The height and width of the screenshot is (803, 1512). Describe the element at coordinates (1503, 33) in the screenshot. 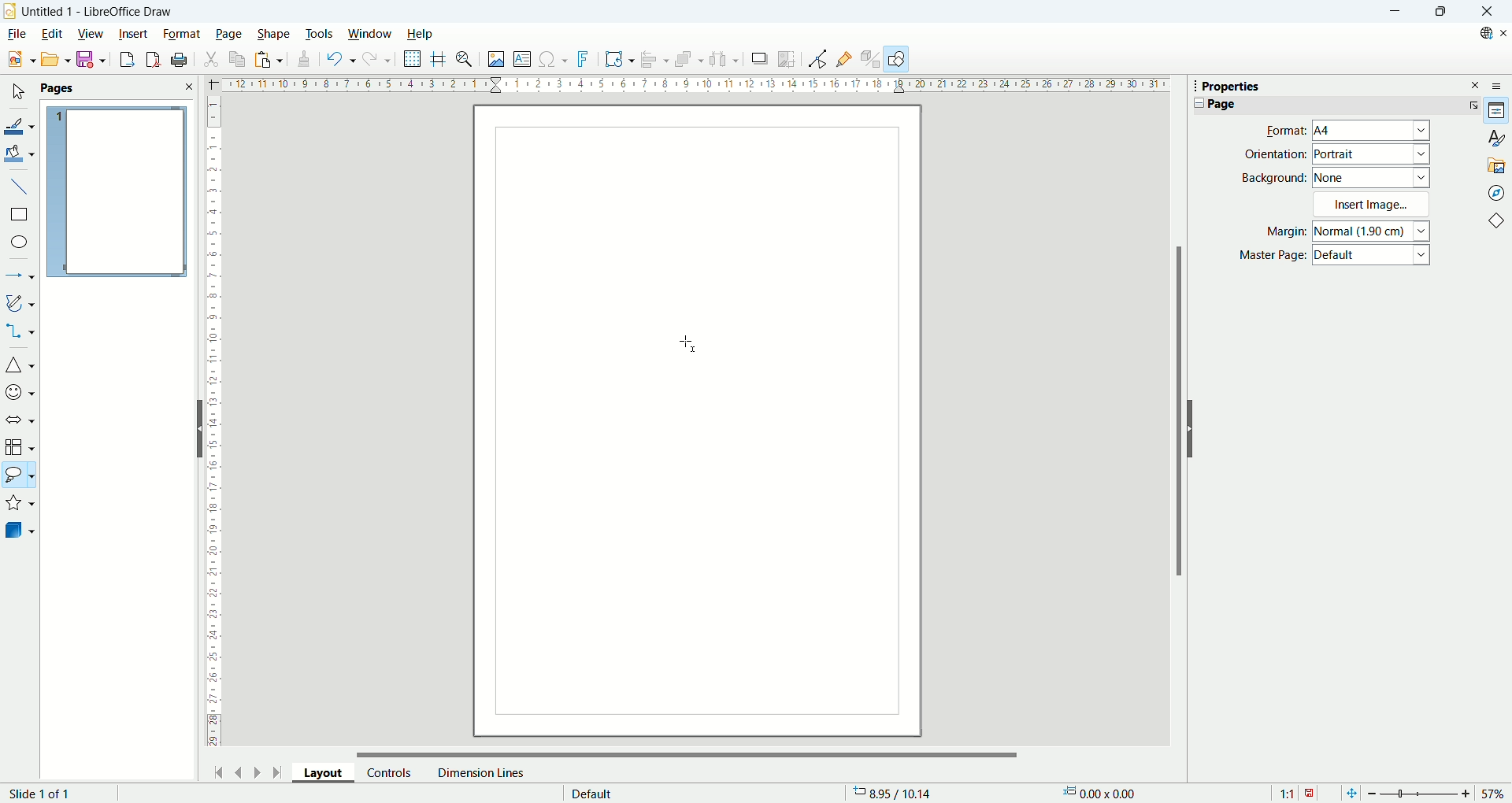

I see `Close document` at that location.